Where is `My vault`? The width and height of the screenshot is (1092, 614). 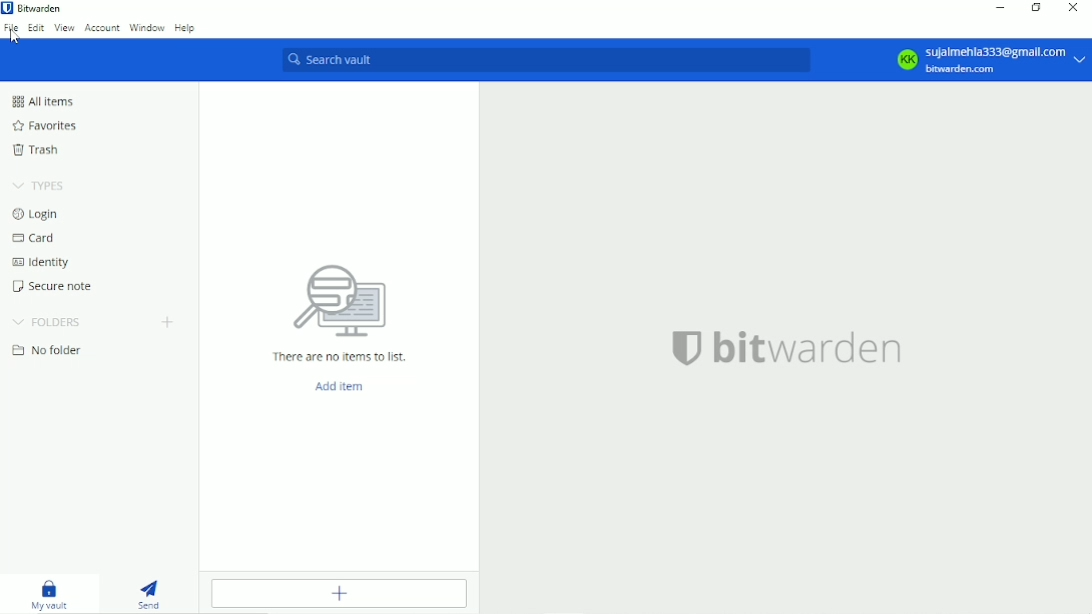 My vault is located at coordinates (47, 593).